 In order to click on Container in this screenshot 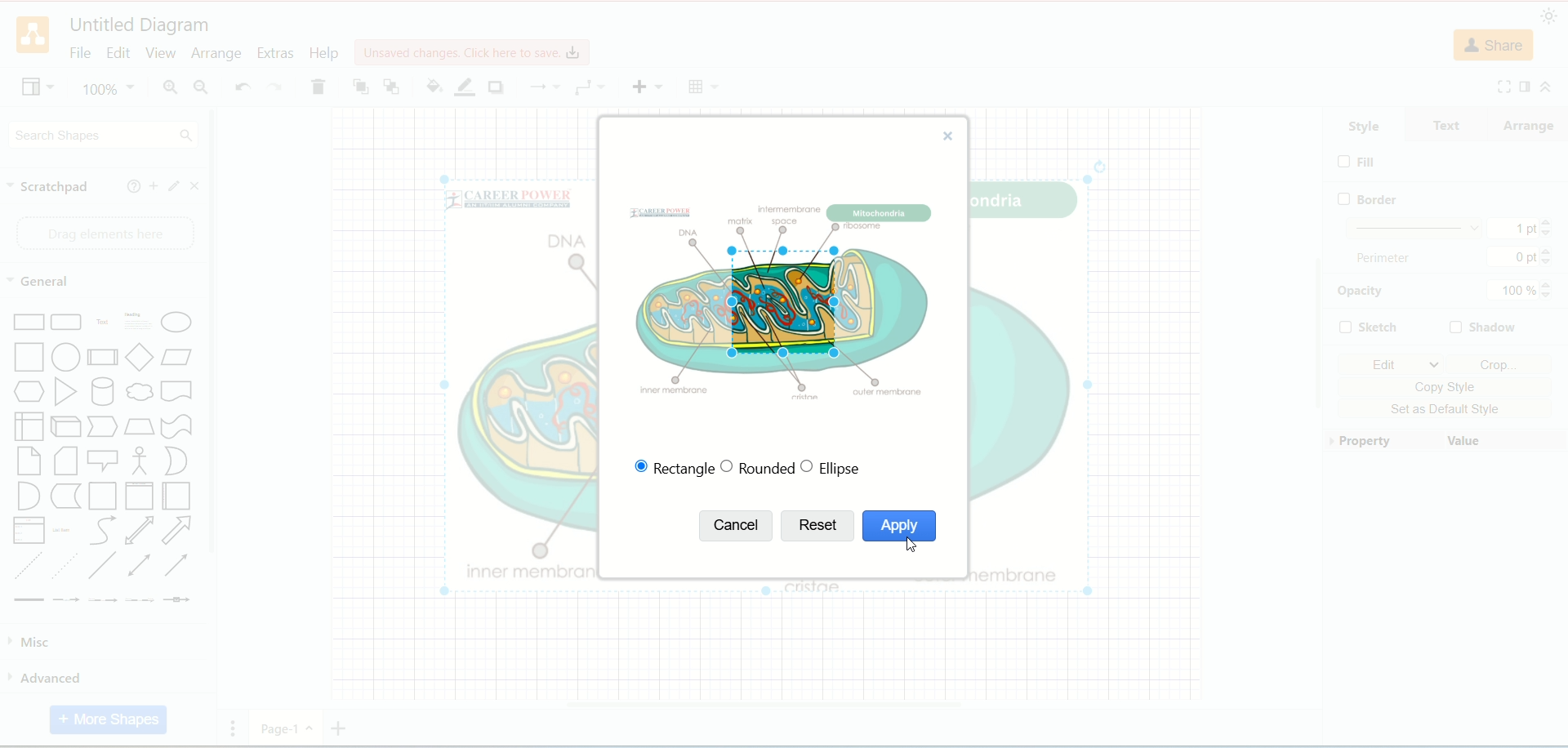, I will do `click(104, 496)`.